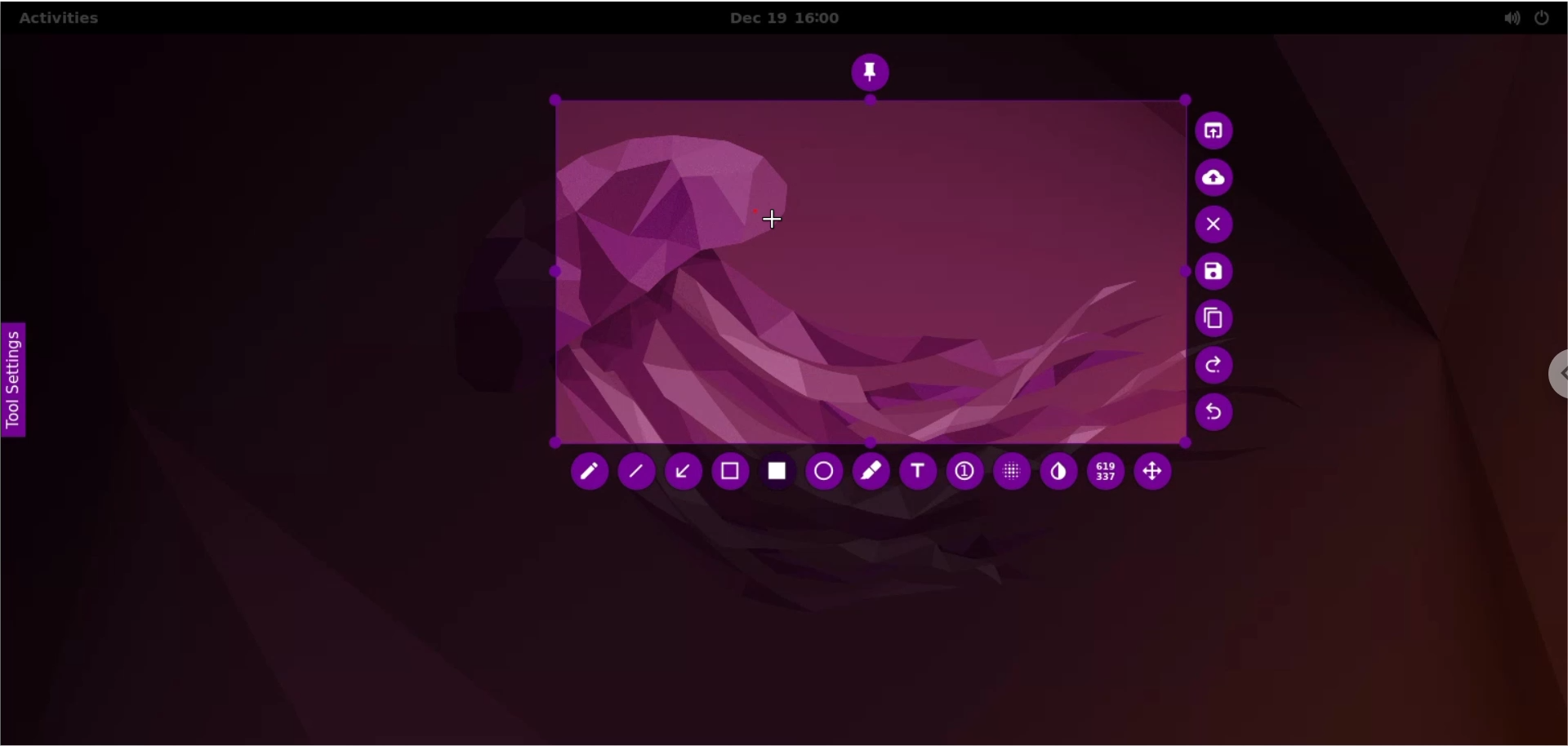  Describe the element at coordinates (871, 473) in the screenshot. I see `marker tool` at that location.